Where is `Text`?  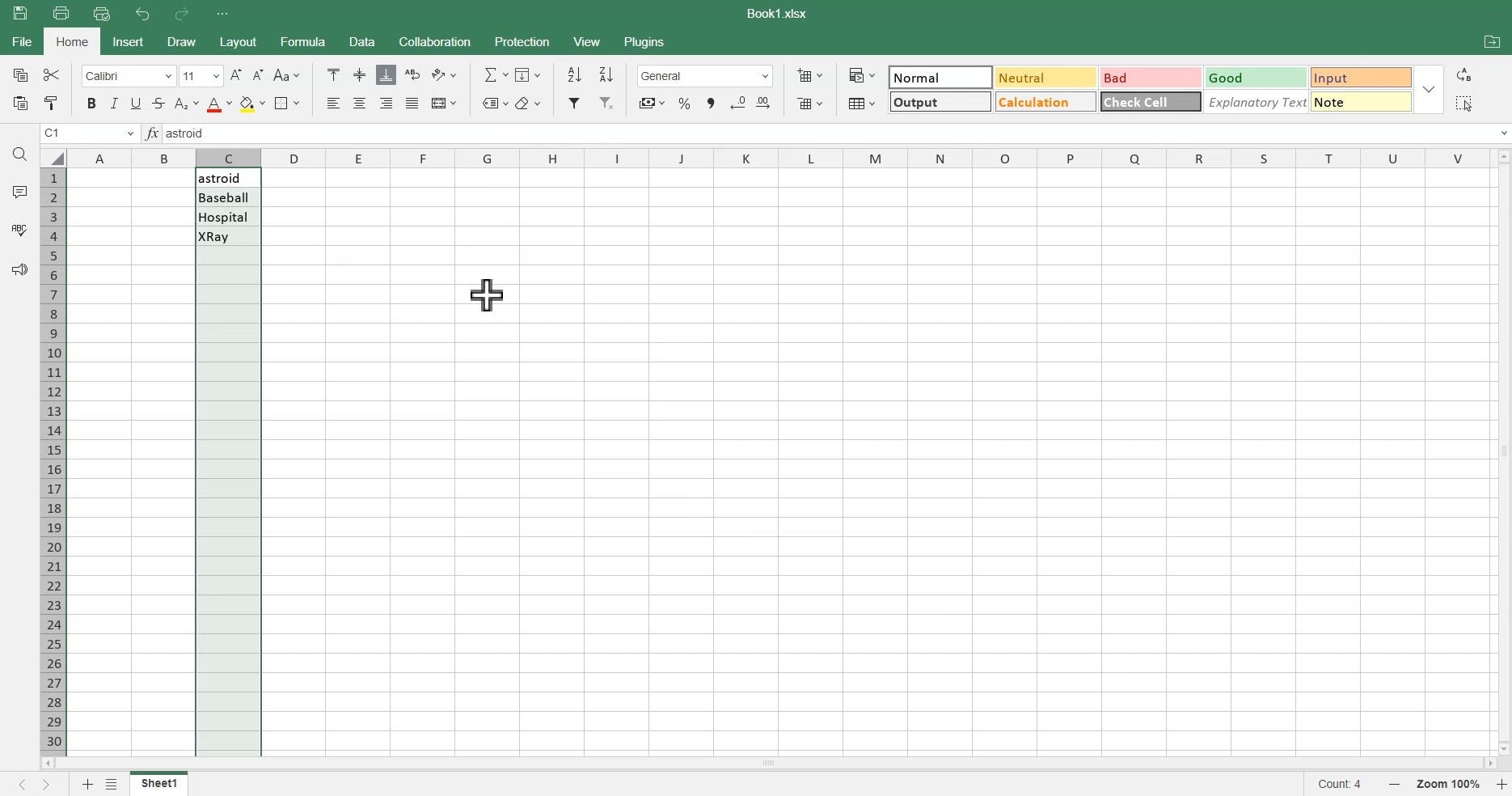 Text is located at coordinates (779, 14).